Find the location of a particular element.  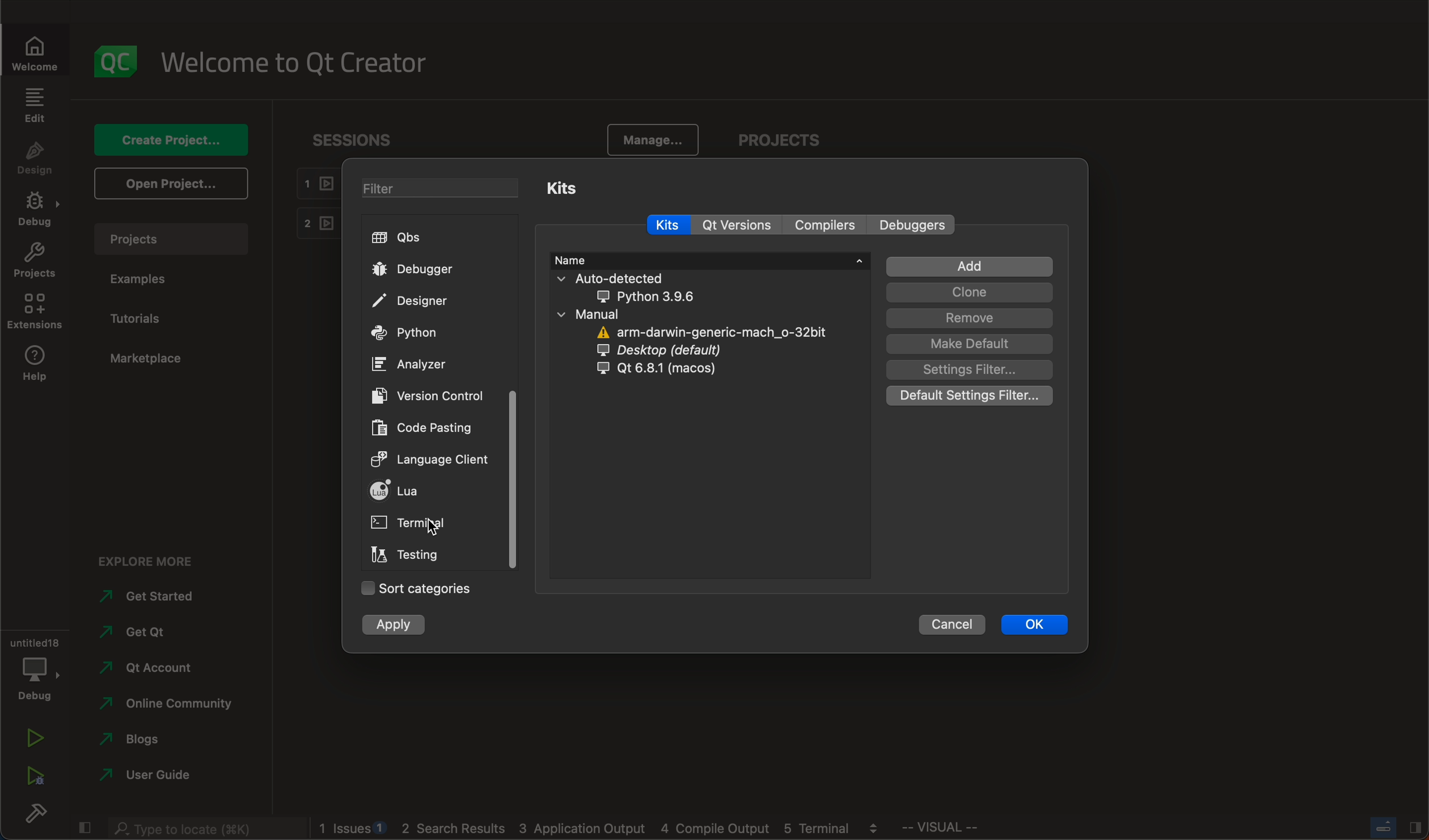

logs is located at coordinates (605, 830).